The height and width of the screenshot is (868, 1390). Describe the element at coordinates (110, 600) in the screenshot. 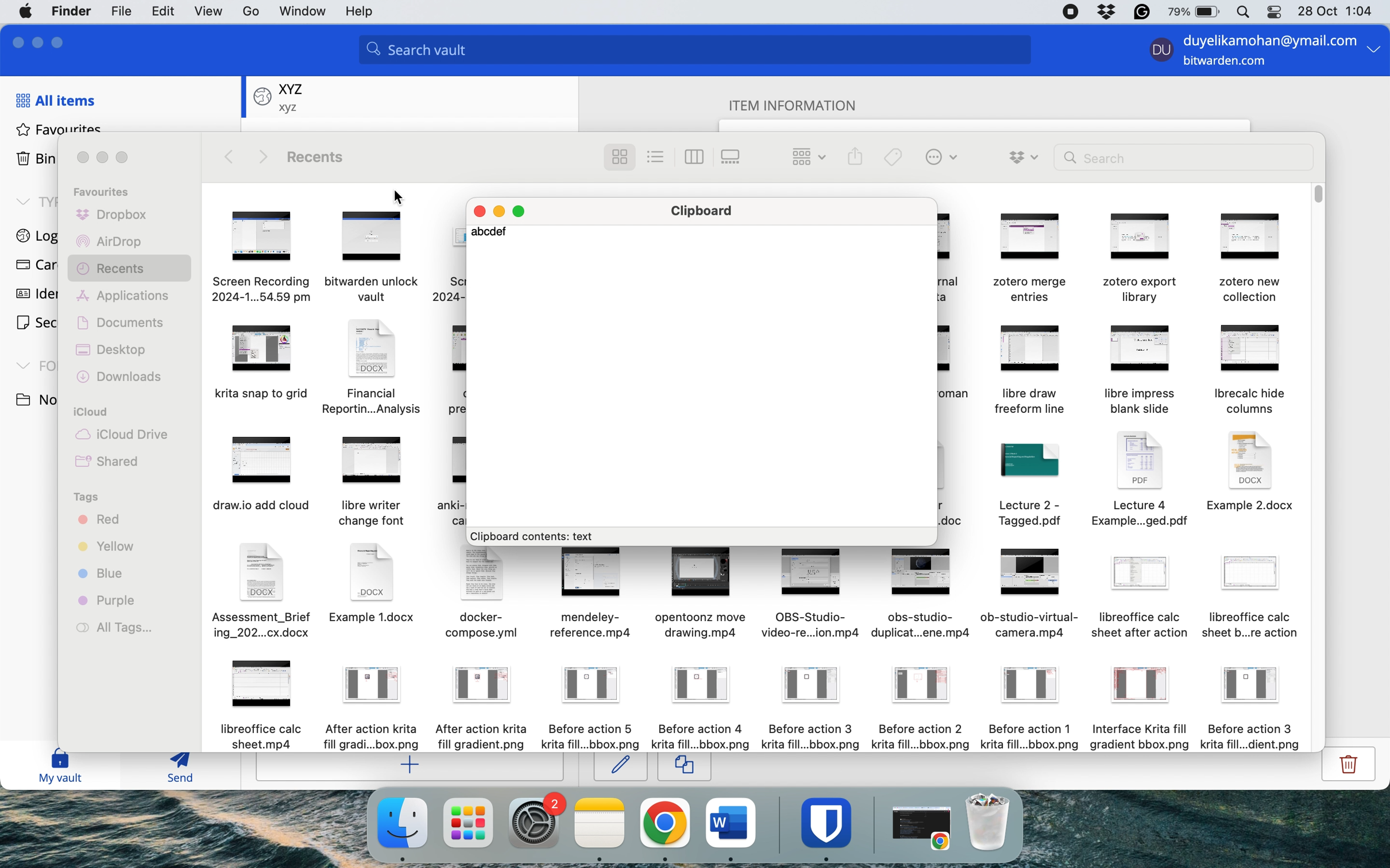

I see `purple tag` at that location.